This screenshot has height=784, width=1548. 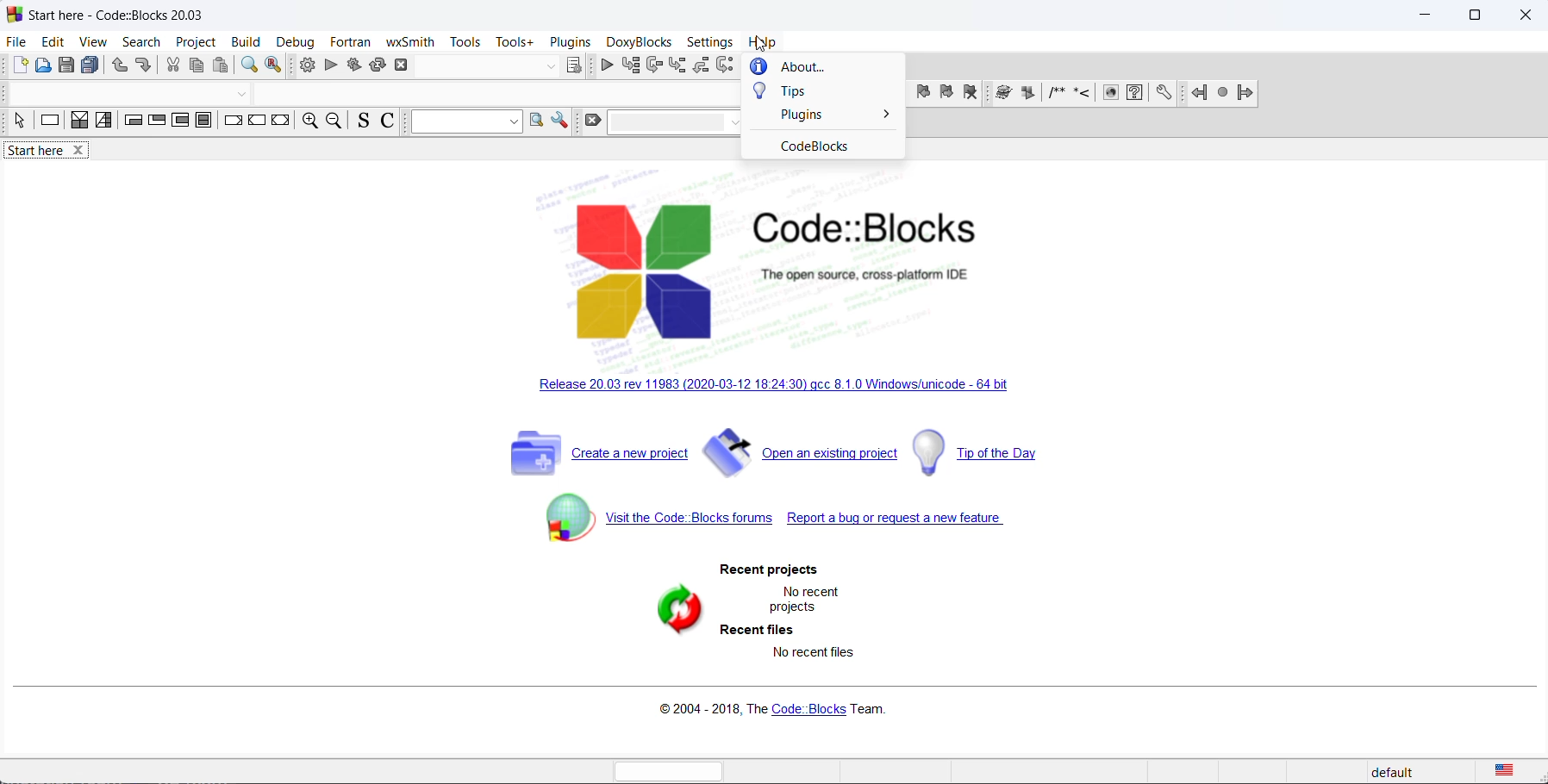 I want to click on dropdown , so click(x=544, y=65).